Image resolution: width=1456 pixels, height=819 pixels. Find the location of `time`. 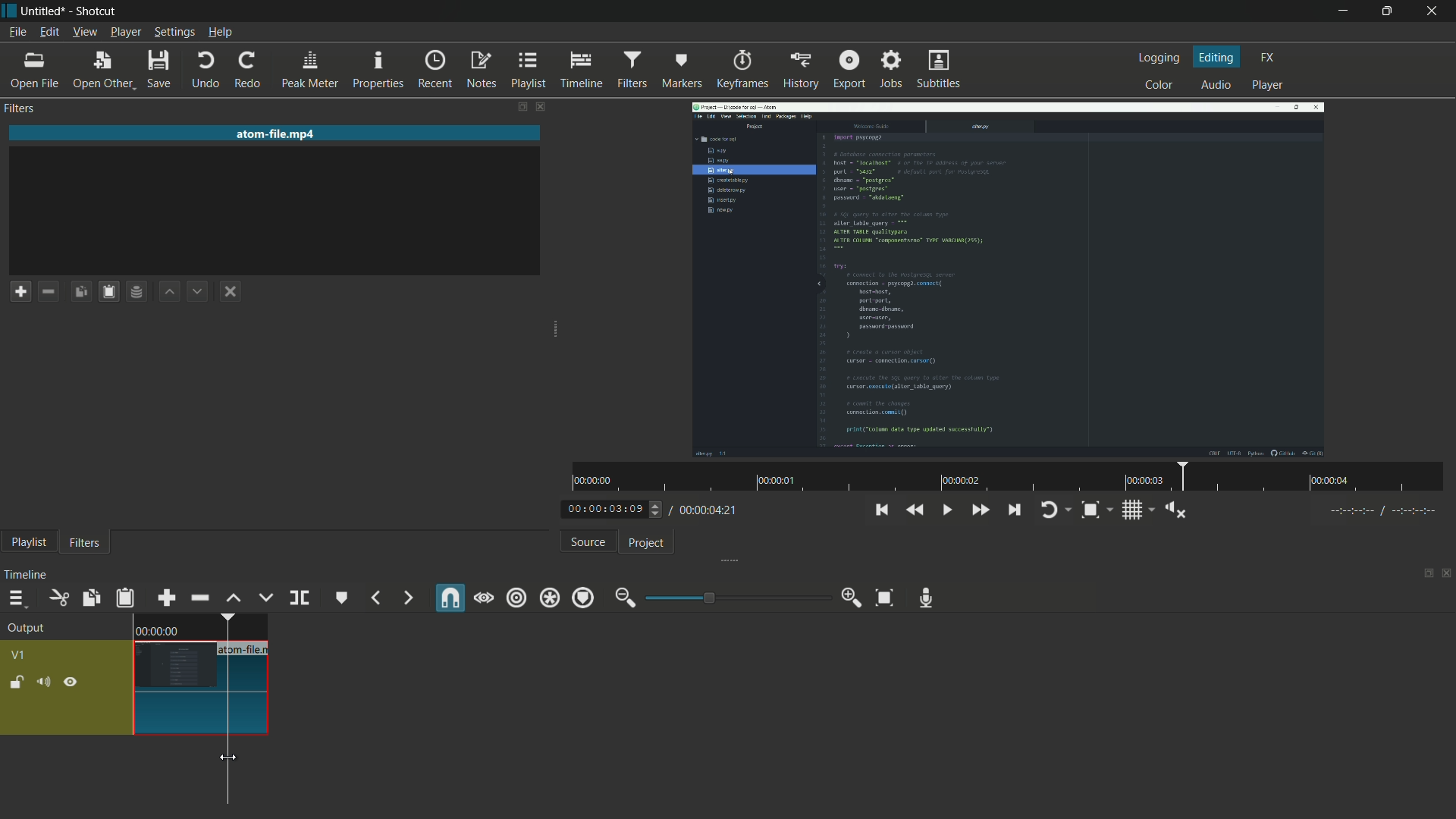

time is located at coordinates (1005, 478).